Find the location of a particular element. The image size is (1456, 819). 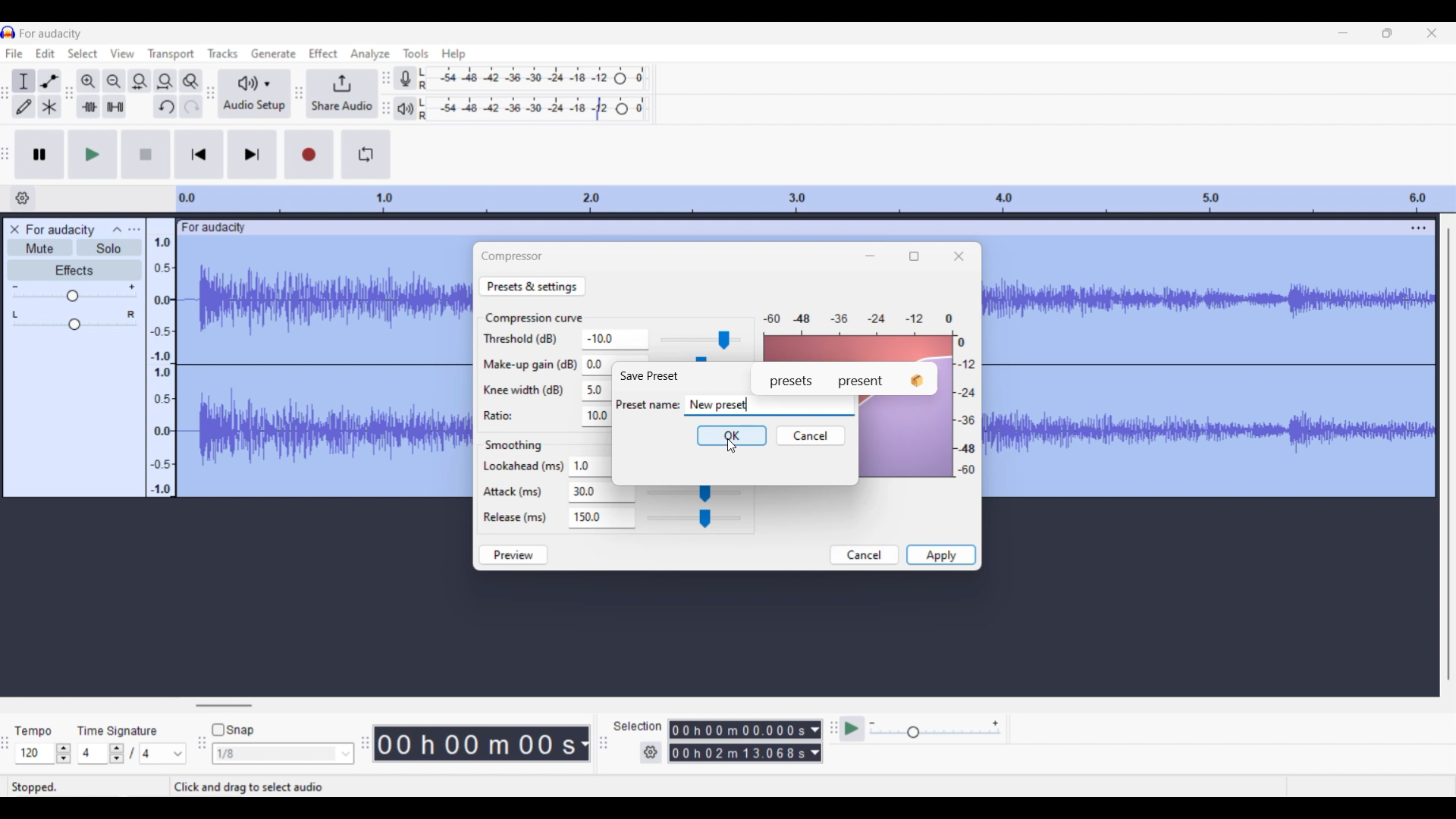

Duration measurement is located at coordinates (815, 741).